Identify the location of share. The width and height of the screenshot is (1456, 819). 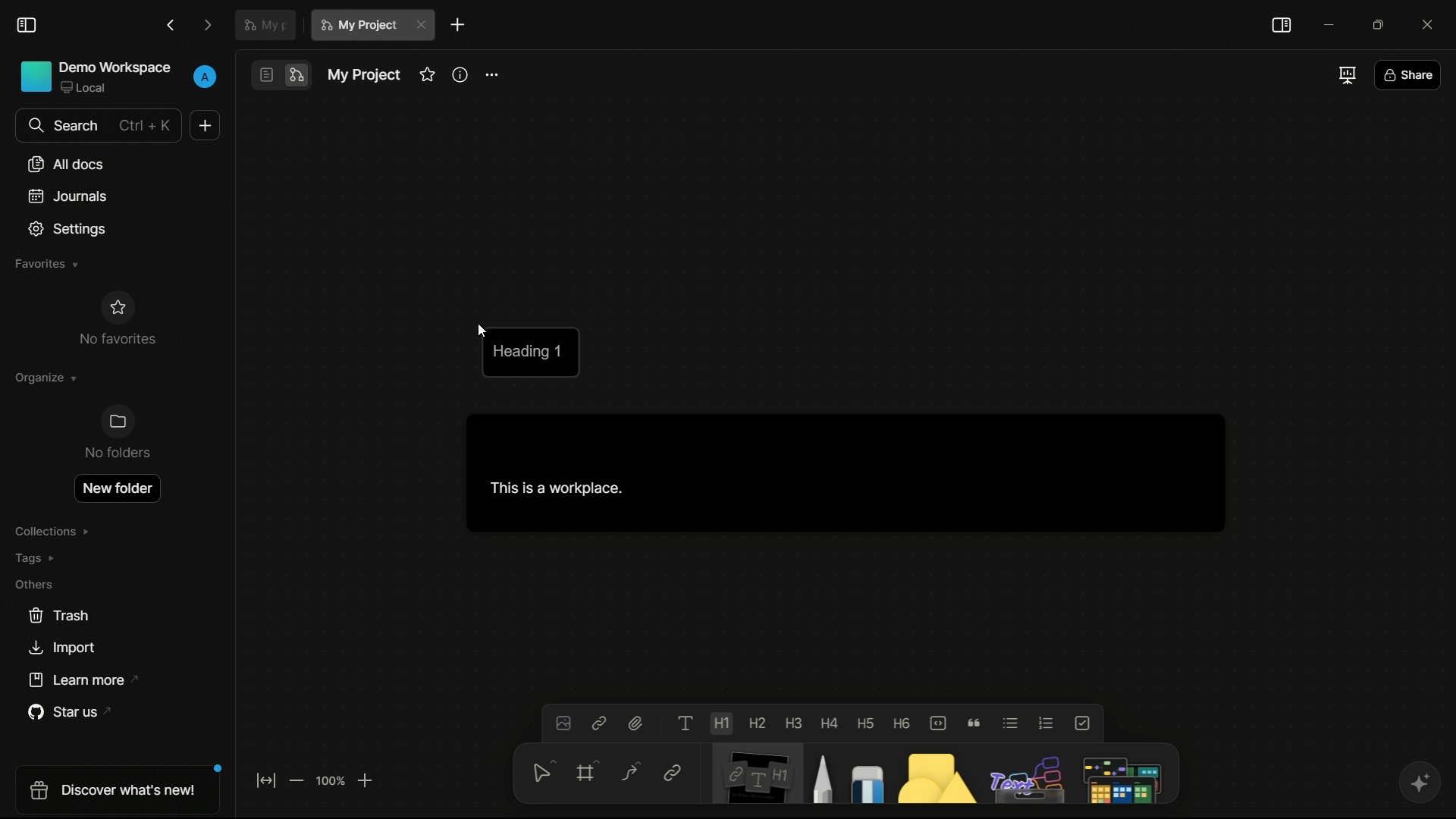
(1410, 74).